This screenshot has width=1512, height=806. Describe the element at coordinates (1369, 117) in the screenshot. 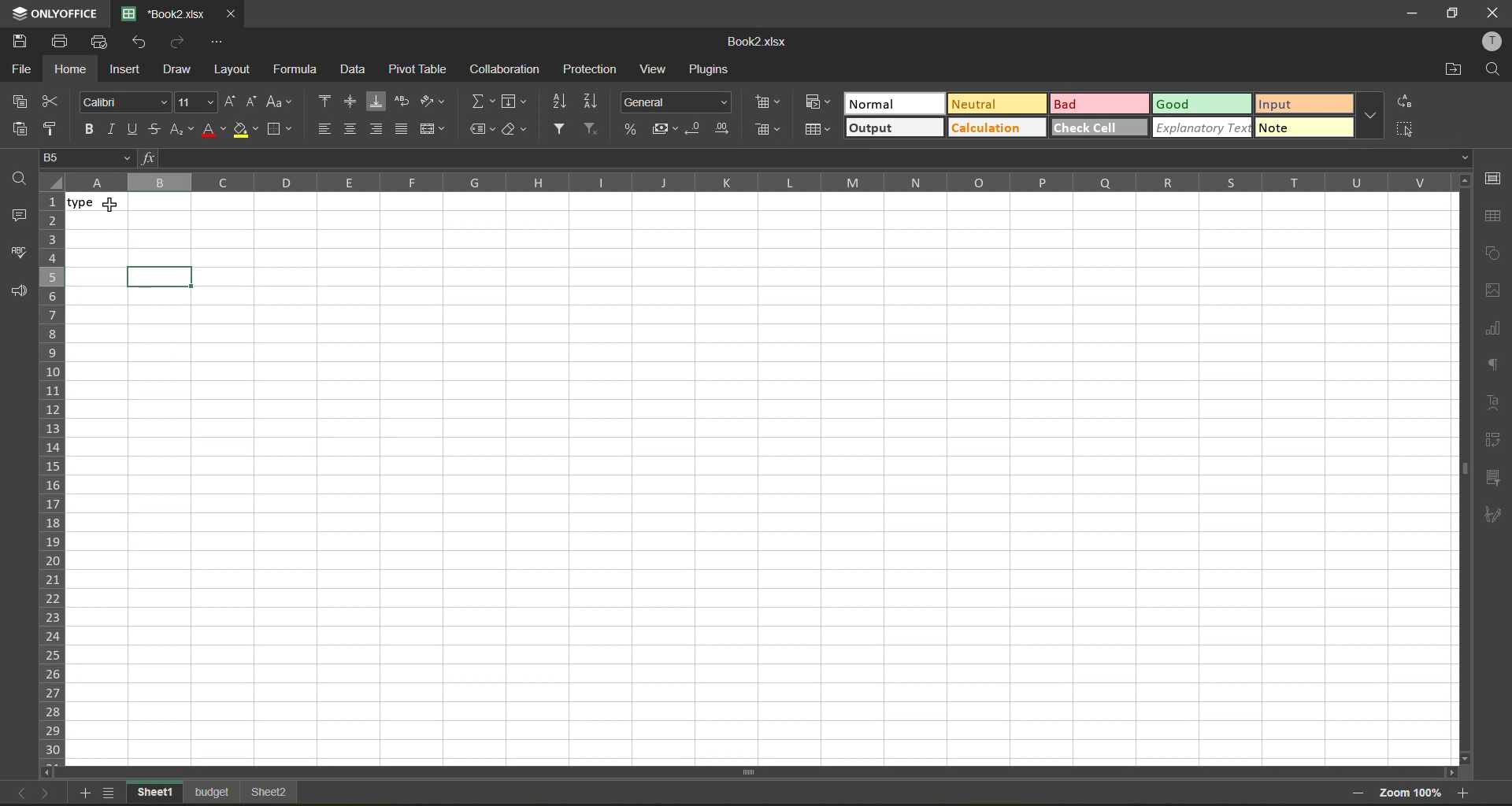

I see `more options` at that location.